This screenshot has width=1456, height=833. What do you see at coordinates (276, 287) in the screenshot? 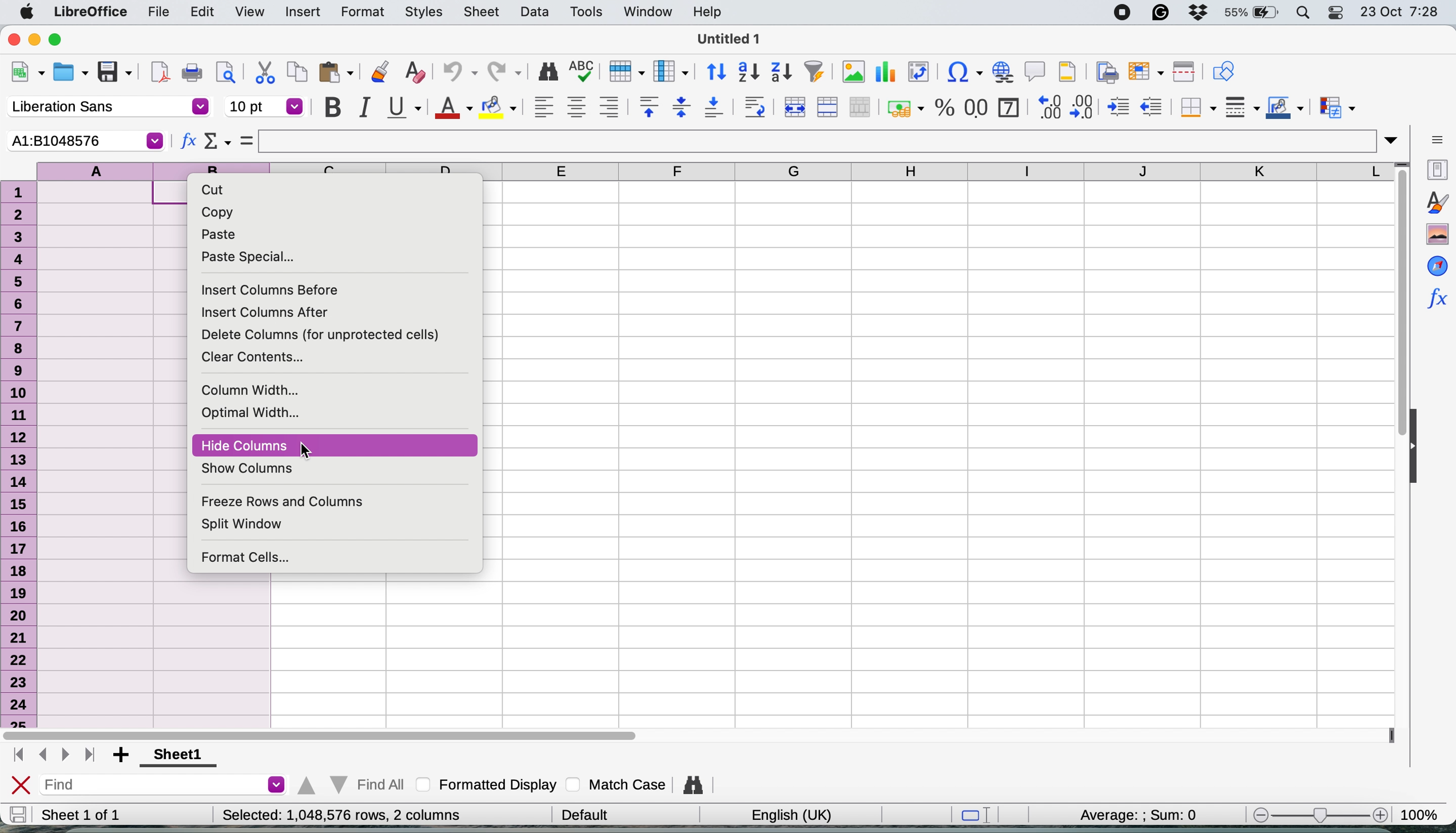
I see `insert columns before` at bounding box center [276, 287].